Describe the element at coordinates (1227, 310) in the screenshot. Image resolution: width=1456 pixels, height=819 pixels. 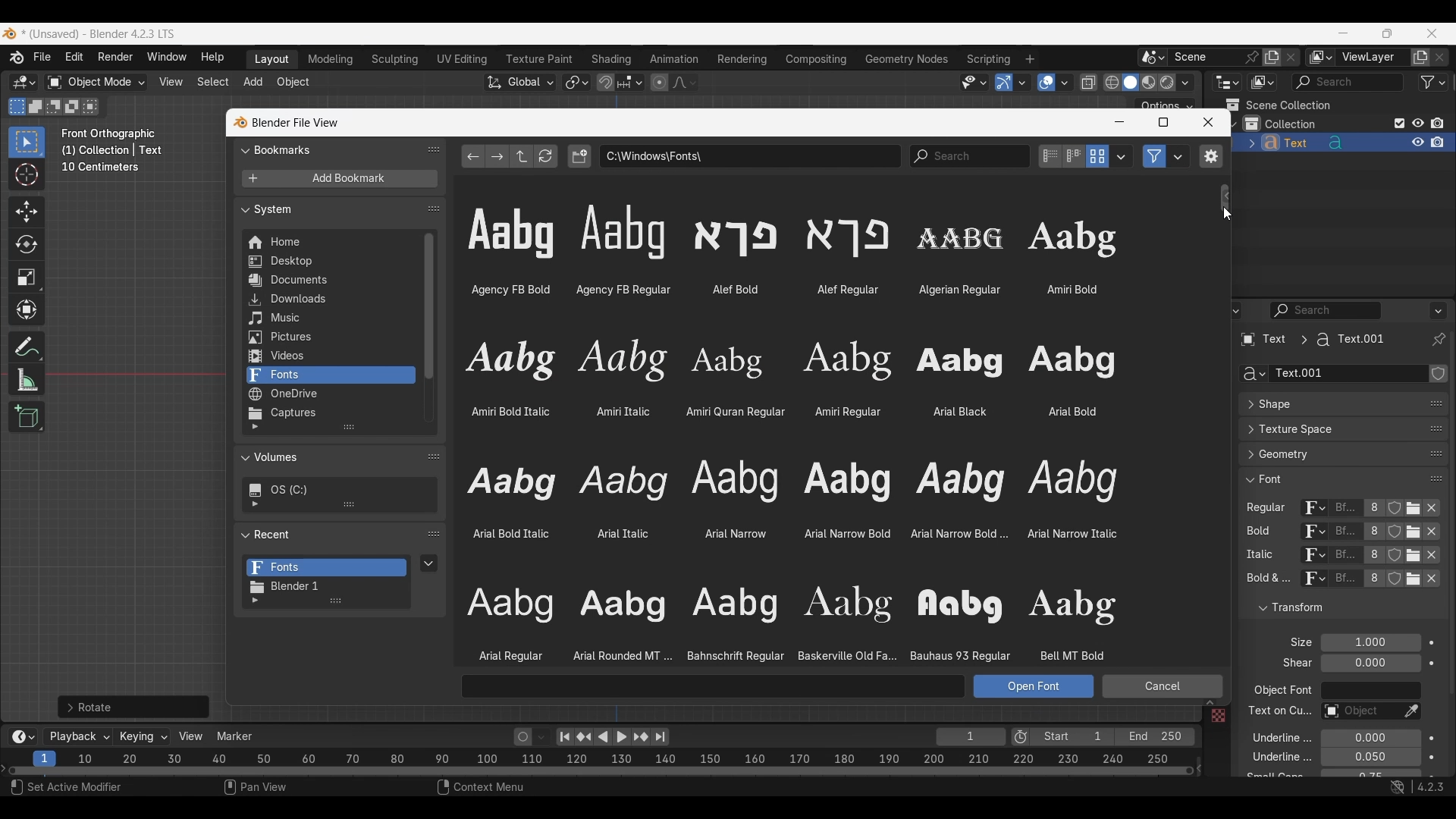
I see `Editor type` at that location.